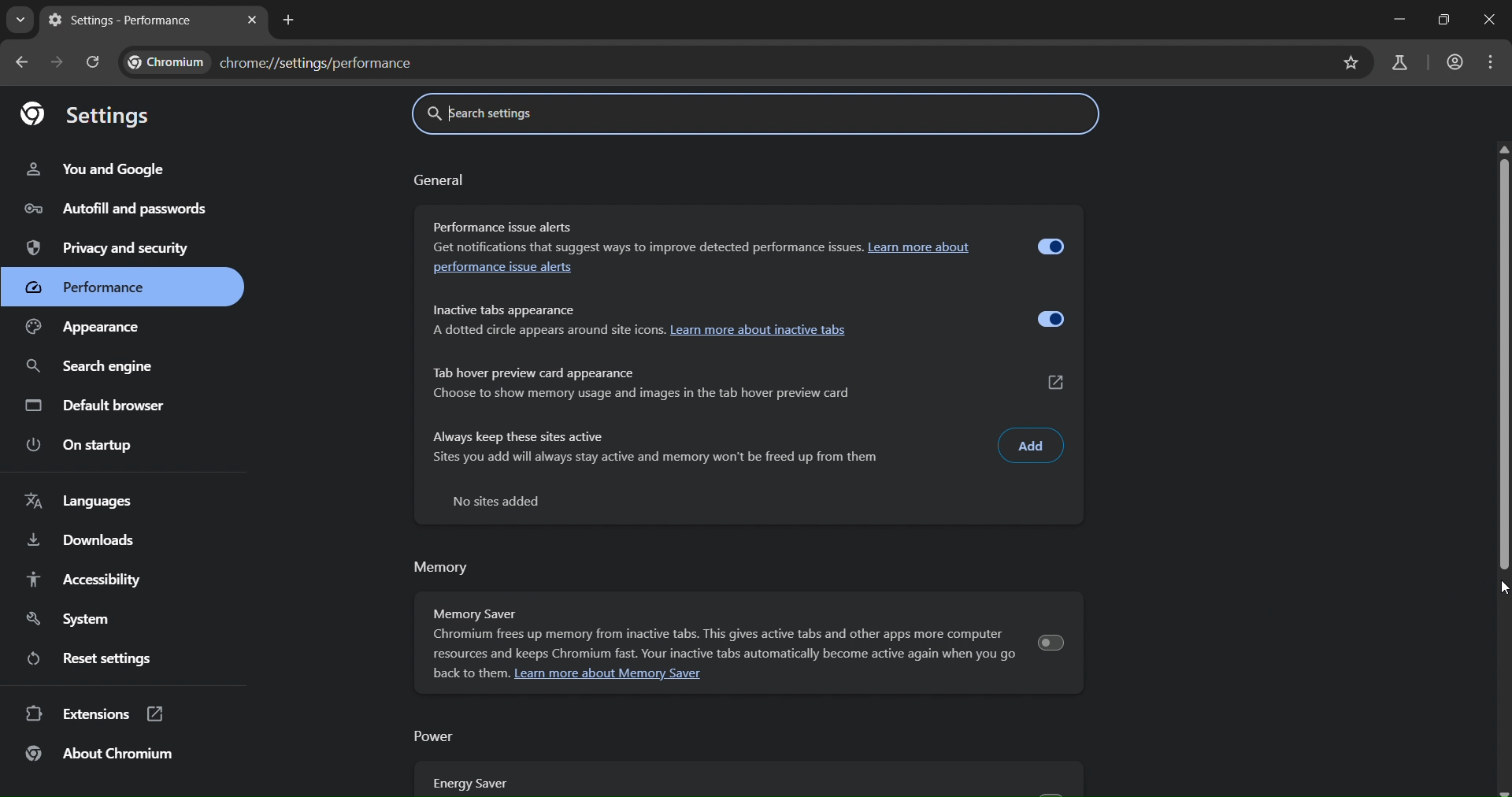 The height and width of the screenshot is (797, 1512). I want to click on settings, so click(88, 115).